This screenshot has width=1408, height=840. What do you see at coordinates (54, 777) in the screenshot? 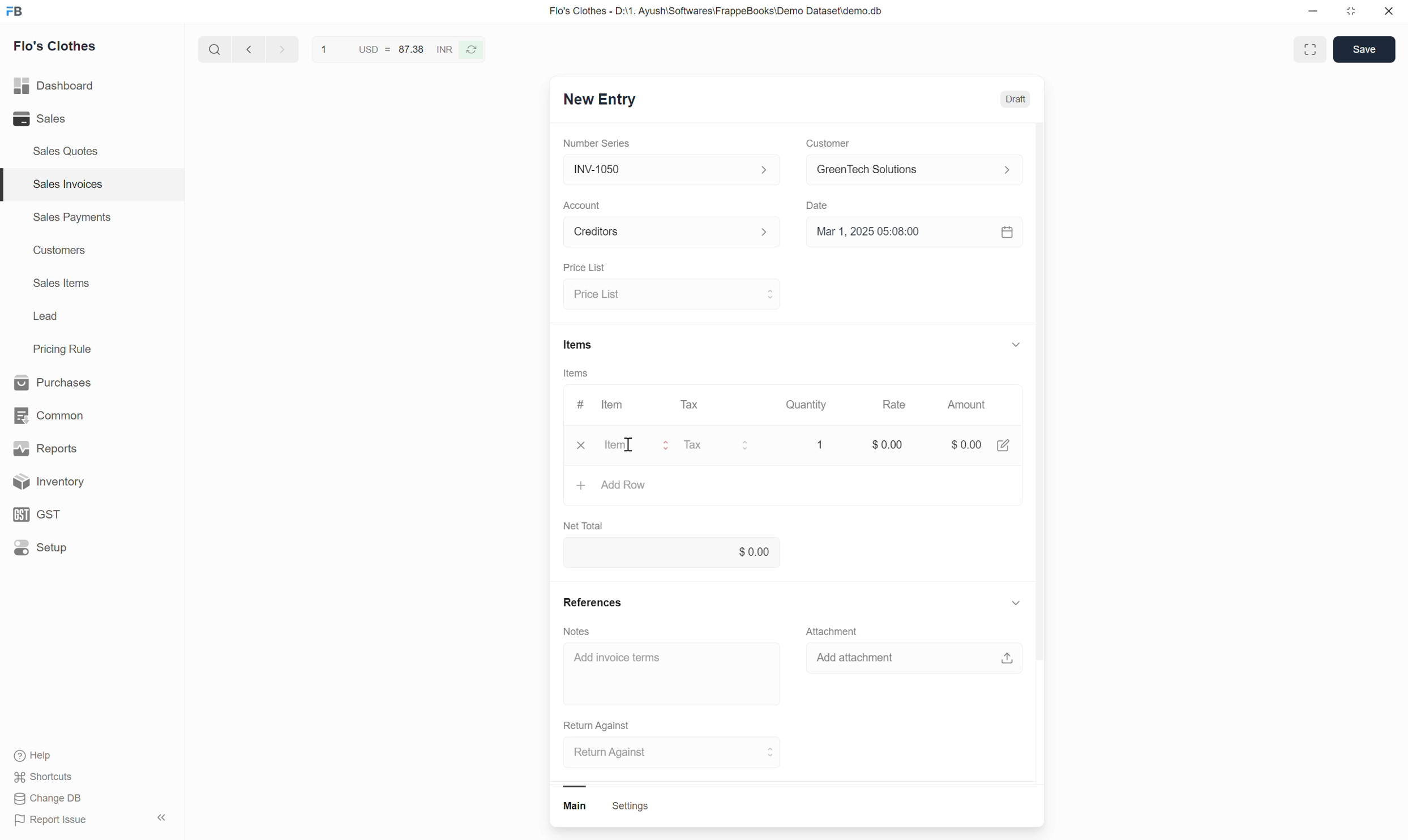
I see `shortcuts ` at bounding box center [54, 777].